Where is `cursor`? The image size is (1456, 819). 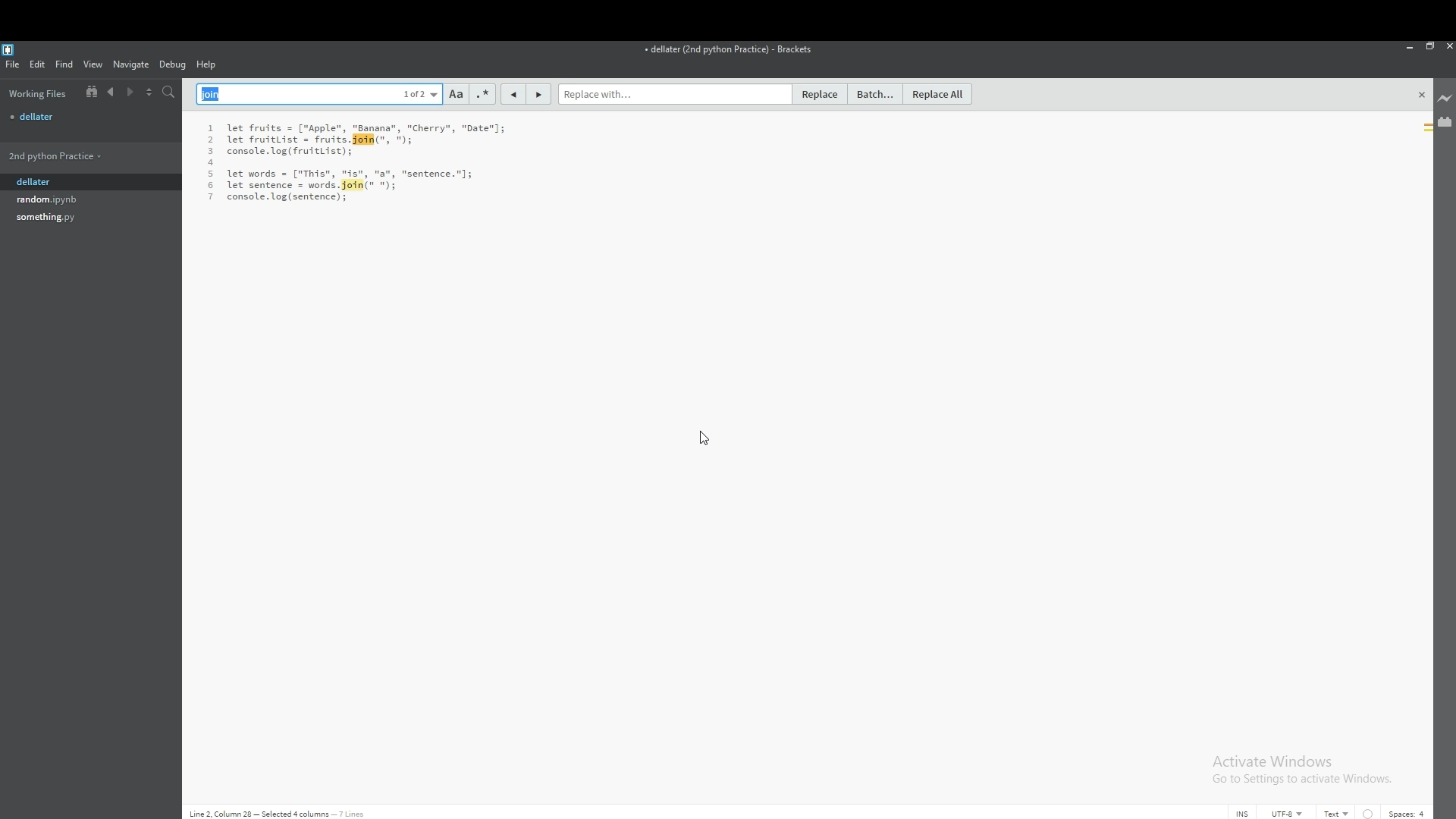
cursor is located at coordinates (709, 438).